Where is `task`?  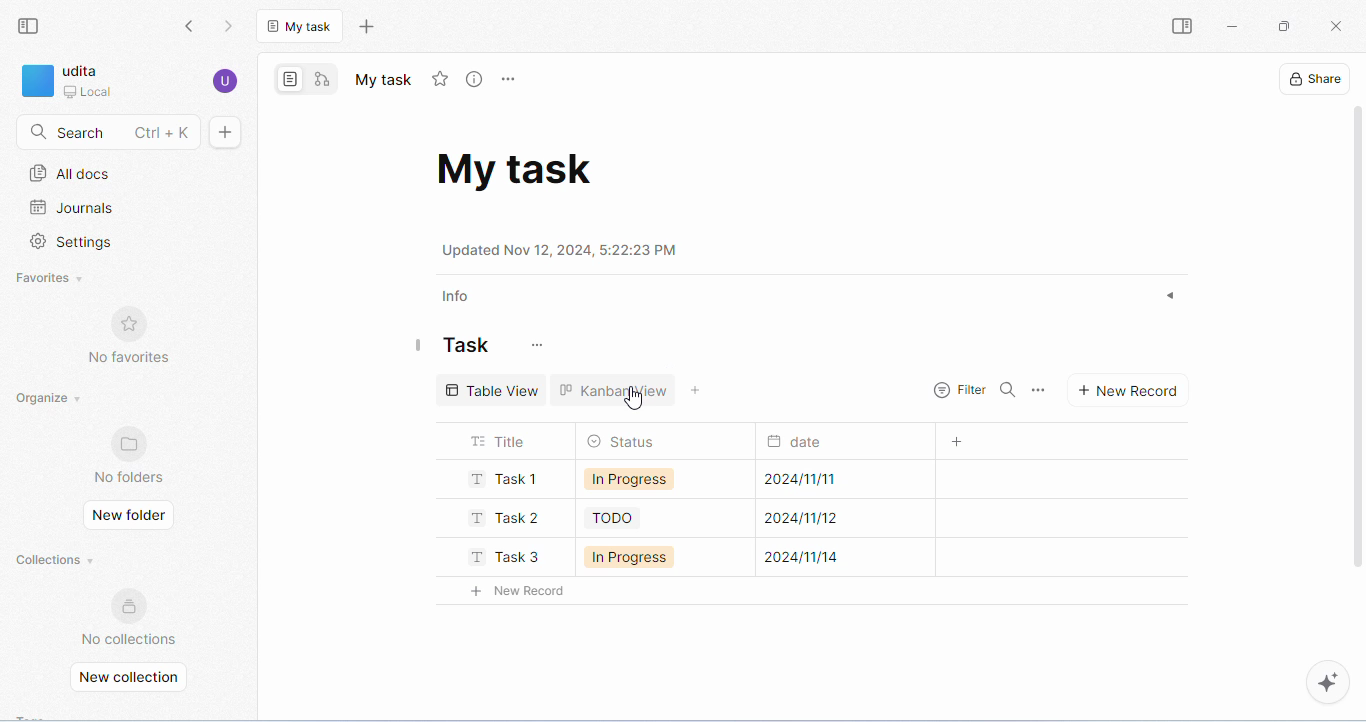 task is located at coordinates (470, 348).